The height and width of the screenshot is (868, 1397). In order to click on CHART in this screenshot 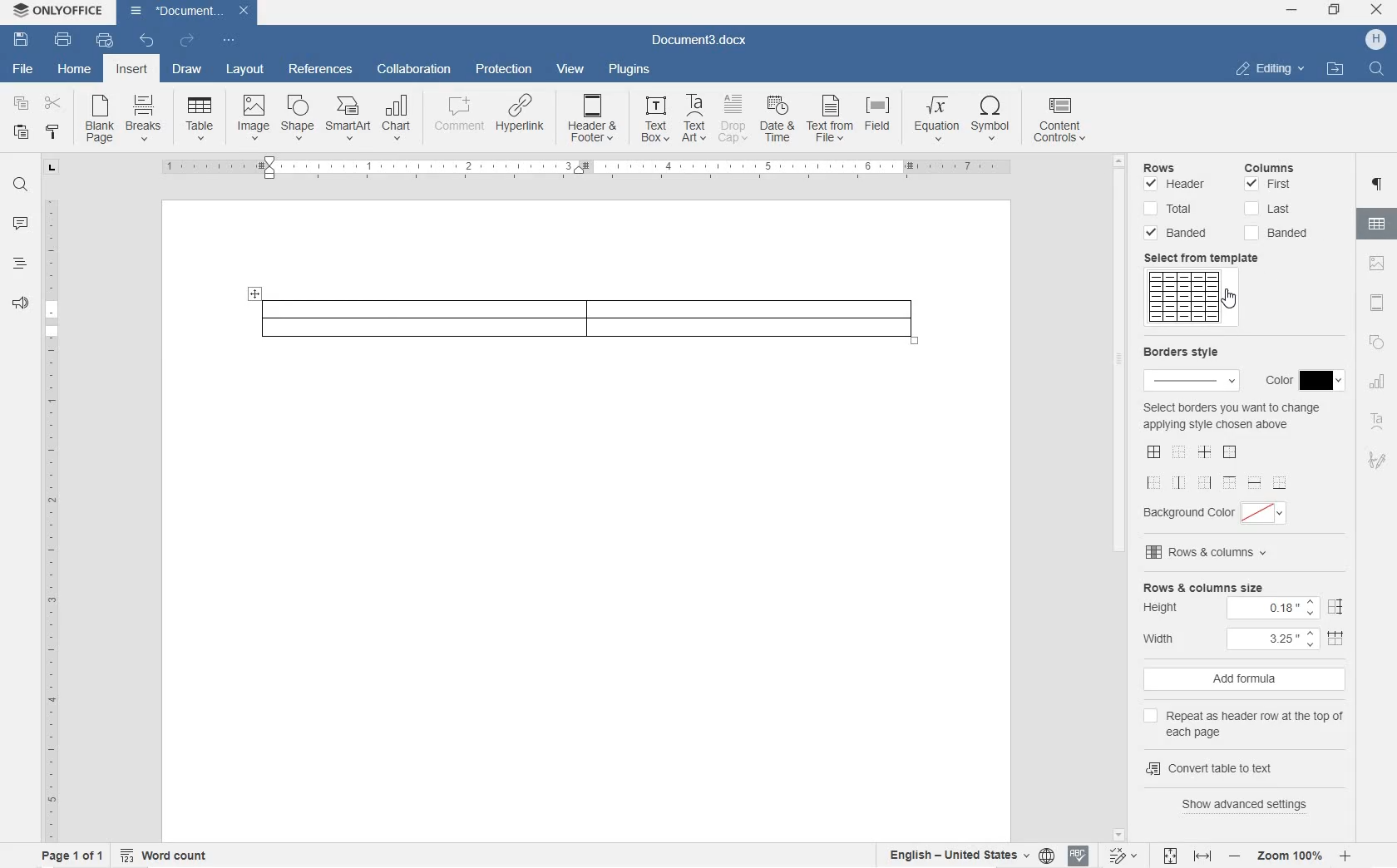, I will do `click(1379, 384)`.